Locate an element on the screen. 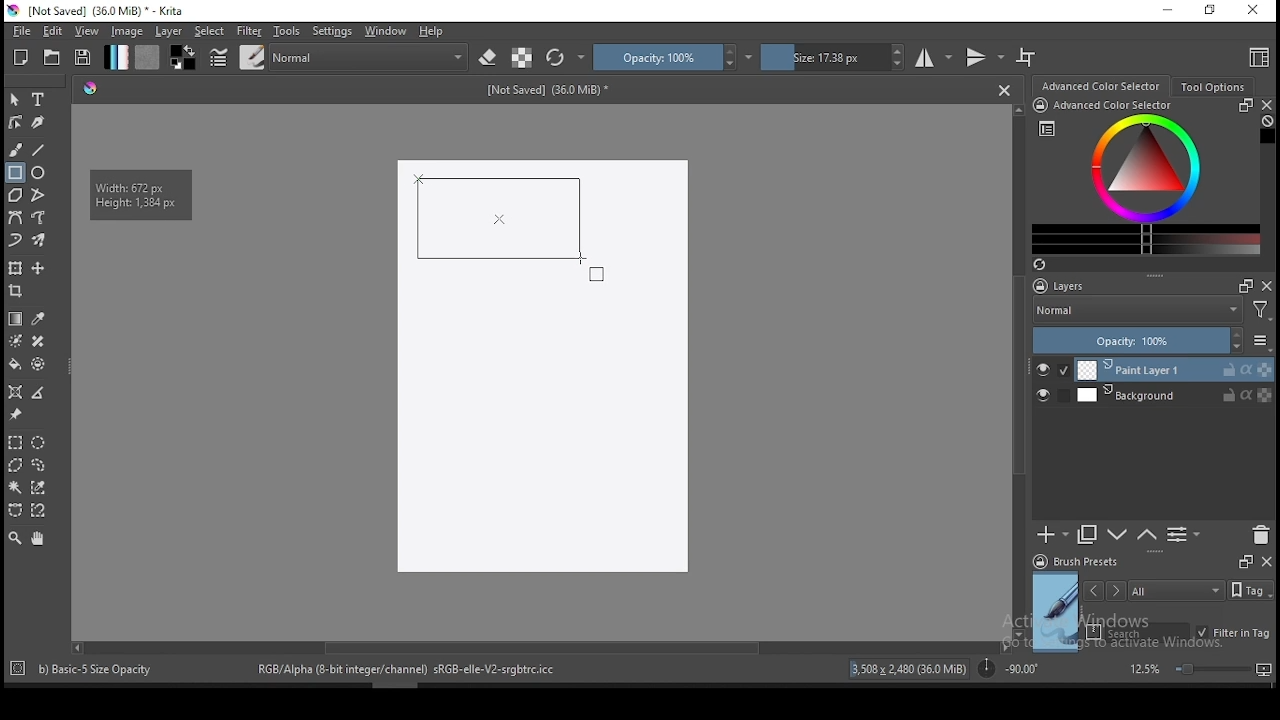 The width and height of the screenshot is (1280, 720). calligraphy is located at coordinates (39, 121).